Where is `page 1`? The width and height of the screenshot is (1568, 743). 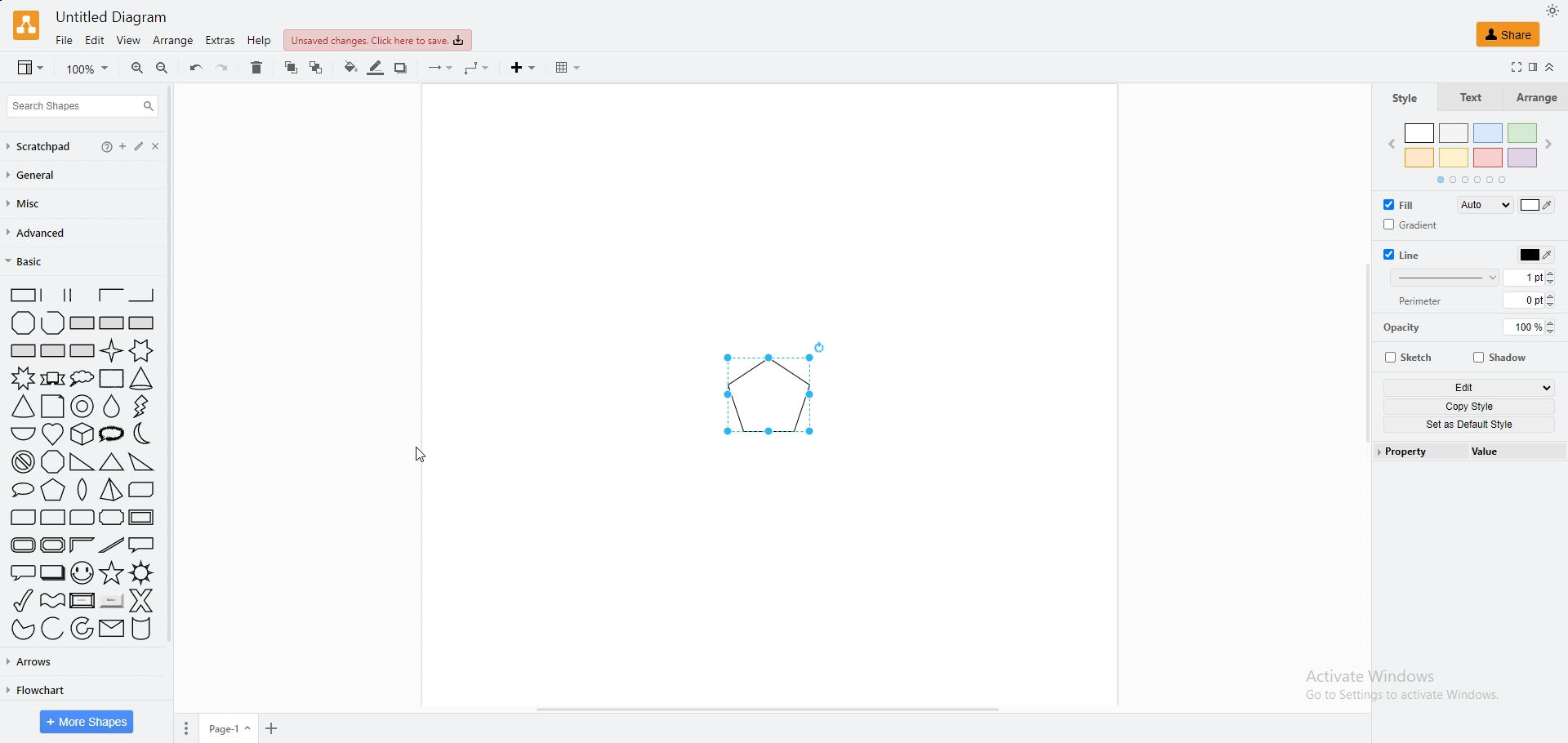 page 1 is located at coordinates (231, 728).